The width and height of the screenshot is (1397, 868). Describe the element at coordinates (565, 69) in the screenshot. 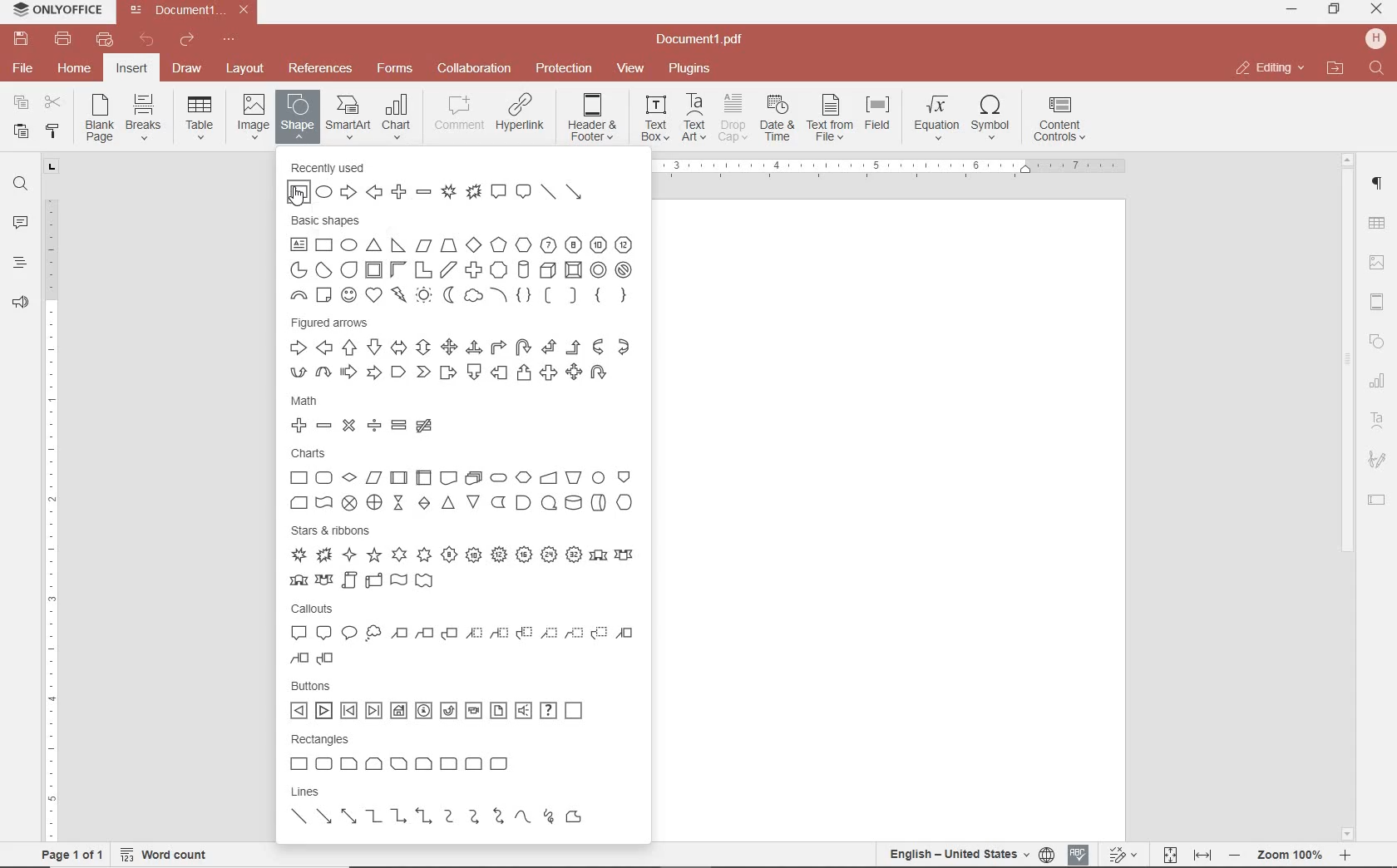

I see `protection` at that location.